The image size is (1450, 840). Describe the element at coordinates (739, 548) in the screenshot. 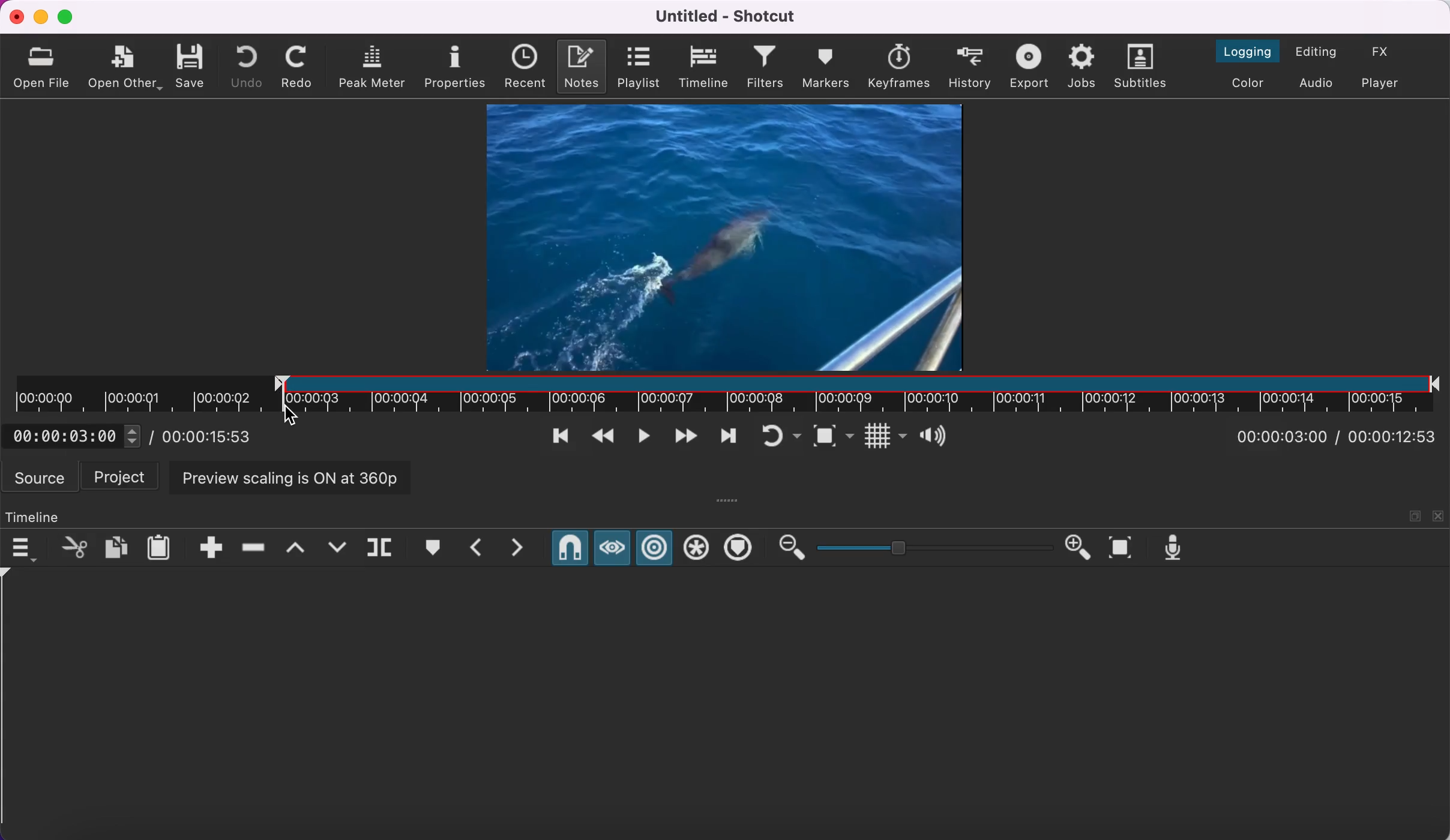

I see `ripple markers` at that location.